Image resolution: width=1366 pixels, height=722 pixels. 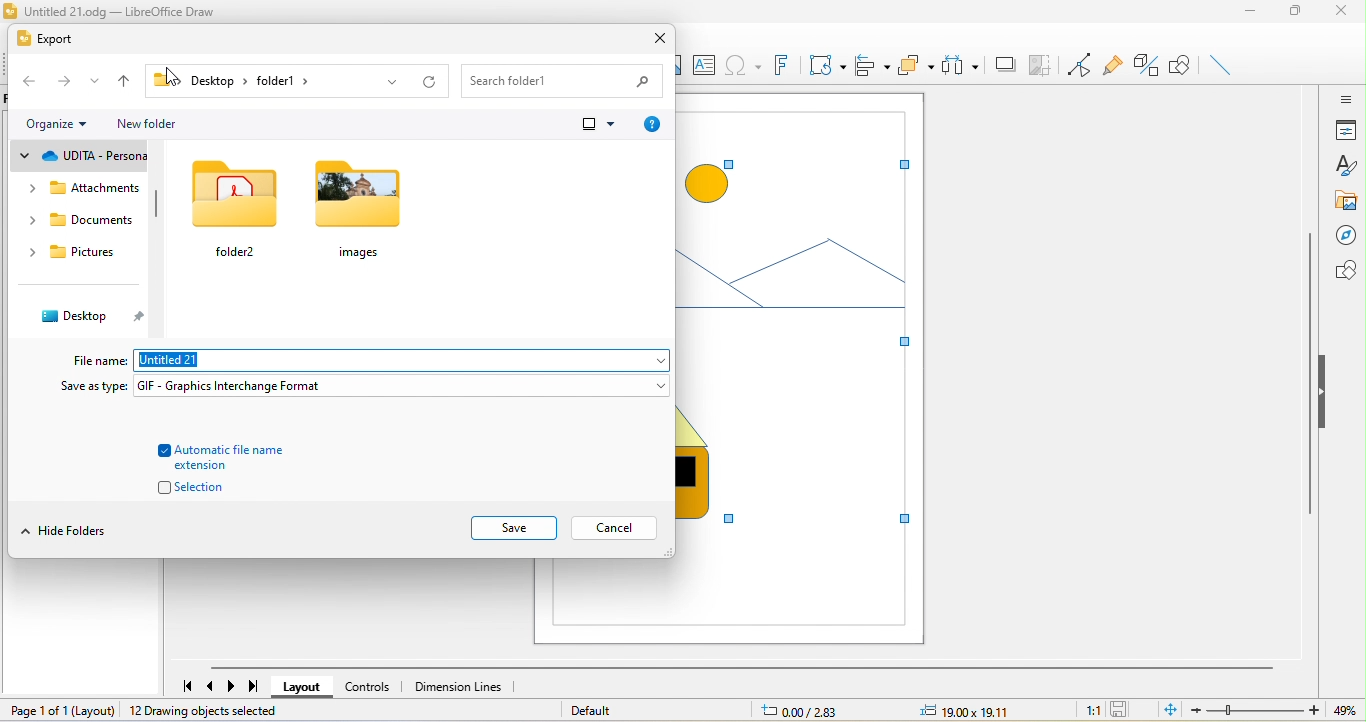 I want to click on dimension lines, so click(x=459, y=686).